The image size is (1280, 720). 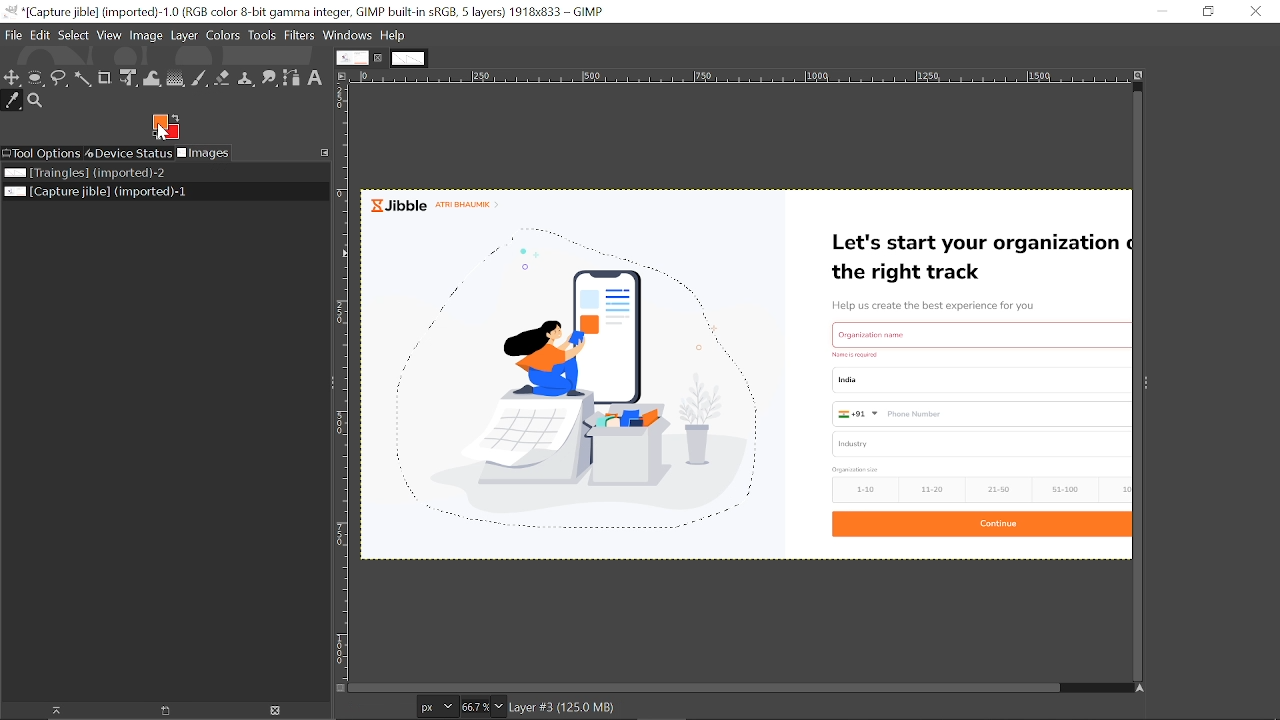 I want to click on Current image file, so click(x=155, y=192).